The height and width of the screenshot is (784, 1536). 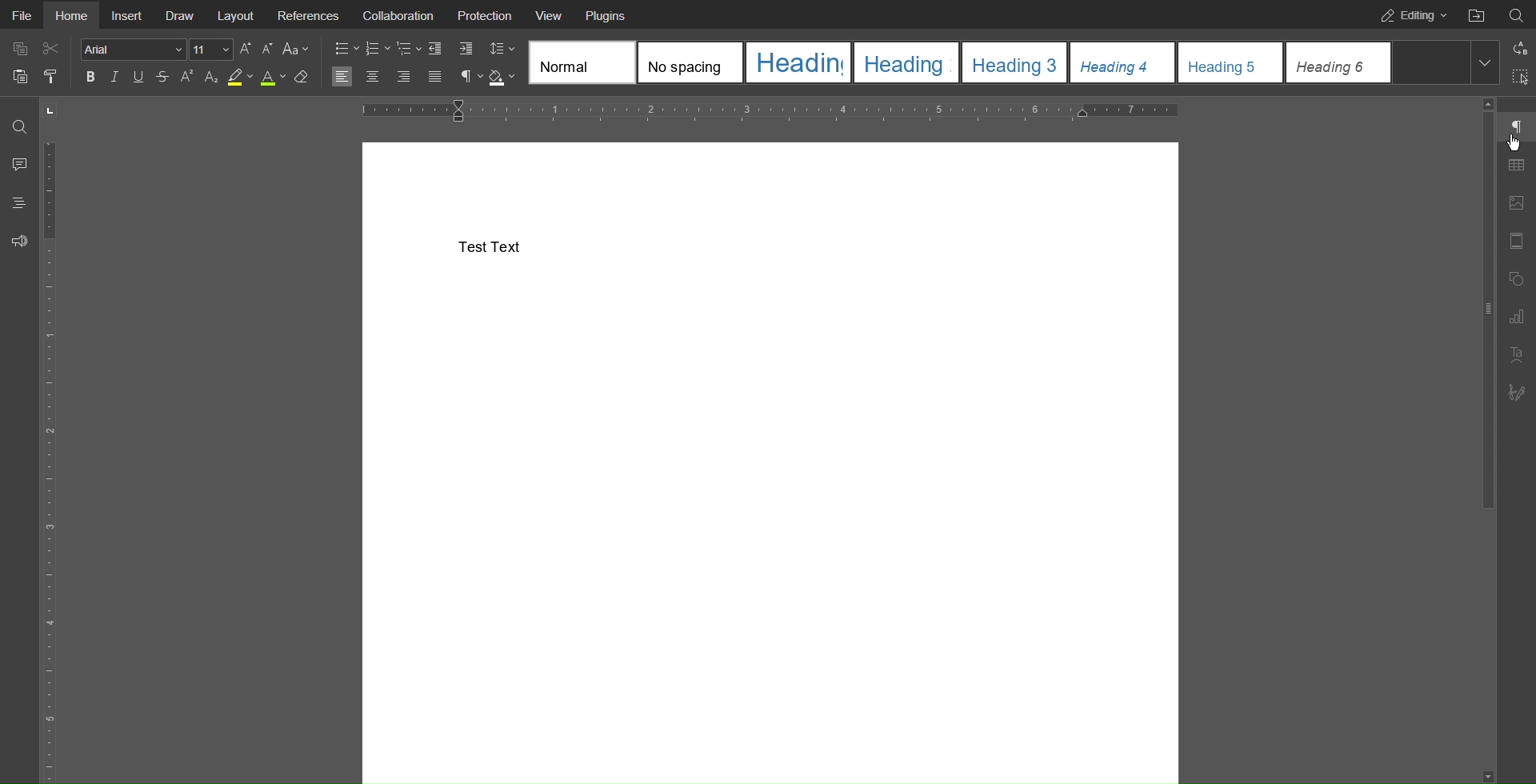 I want to click on Headings, so click(x=18, y=202).